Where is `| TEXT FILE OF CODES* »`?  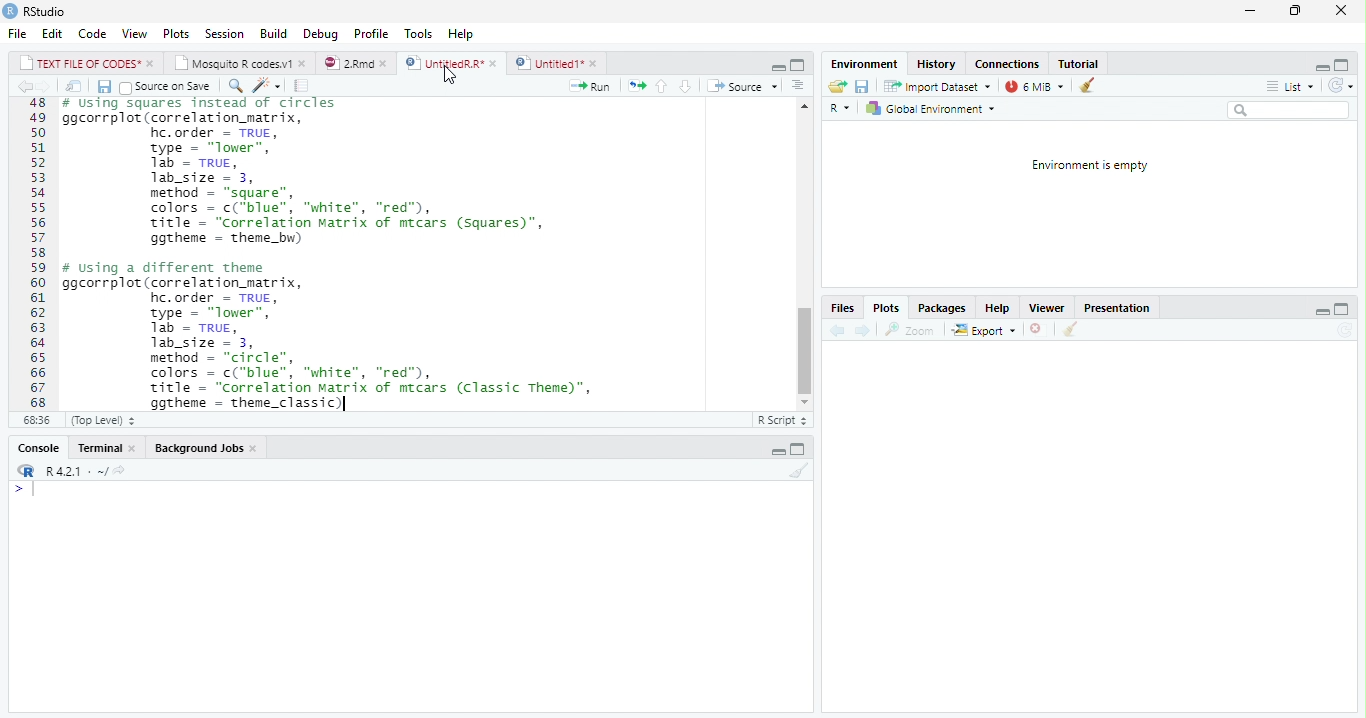
| TEXT FILE OF CODES* » is located at coordinates (88, 63).